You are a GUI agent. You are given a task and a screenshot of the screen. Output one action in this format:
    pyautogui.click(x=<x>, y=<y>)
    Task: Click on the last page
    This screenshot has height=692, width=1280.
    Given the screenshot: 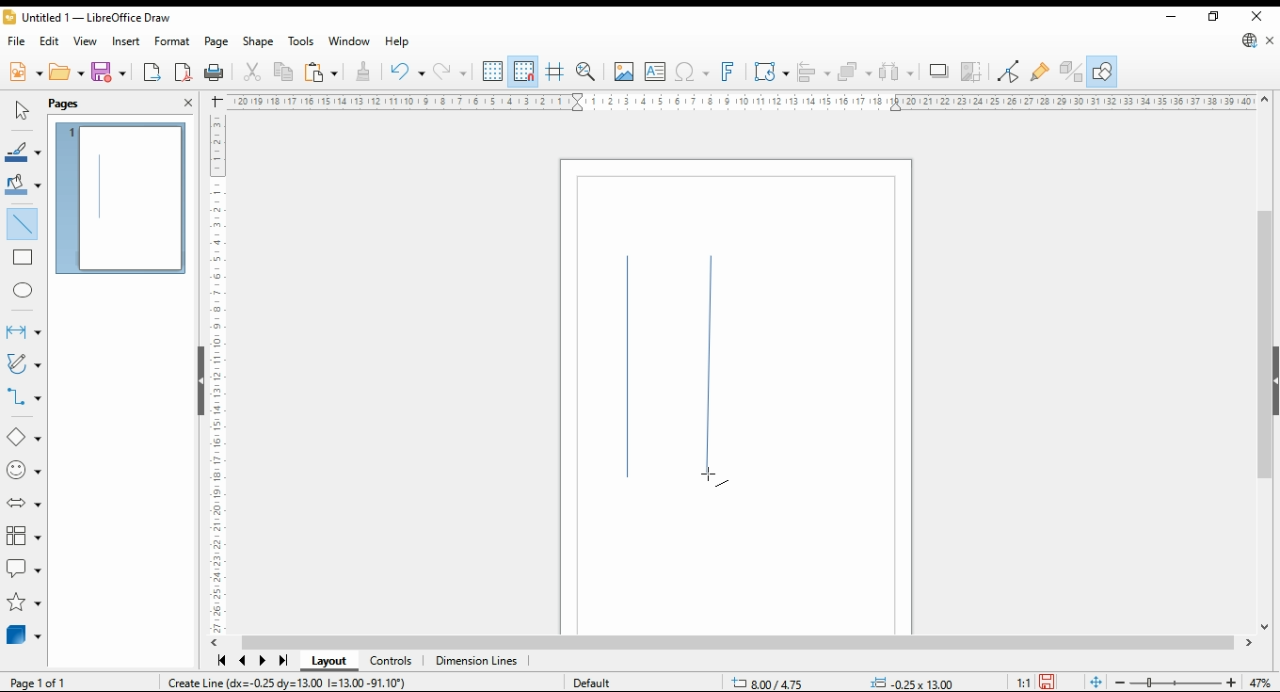 What is the action you would take?
    pyautogui.click(x=282, y=661)
    